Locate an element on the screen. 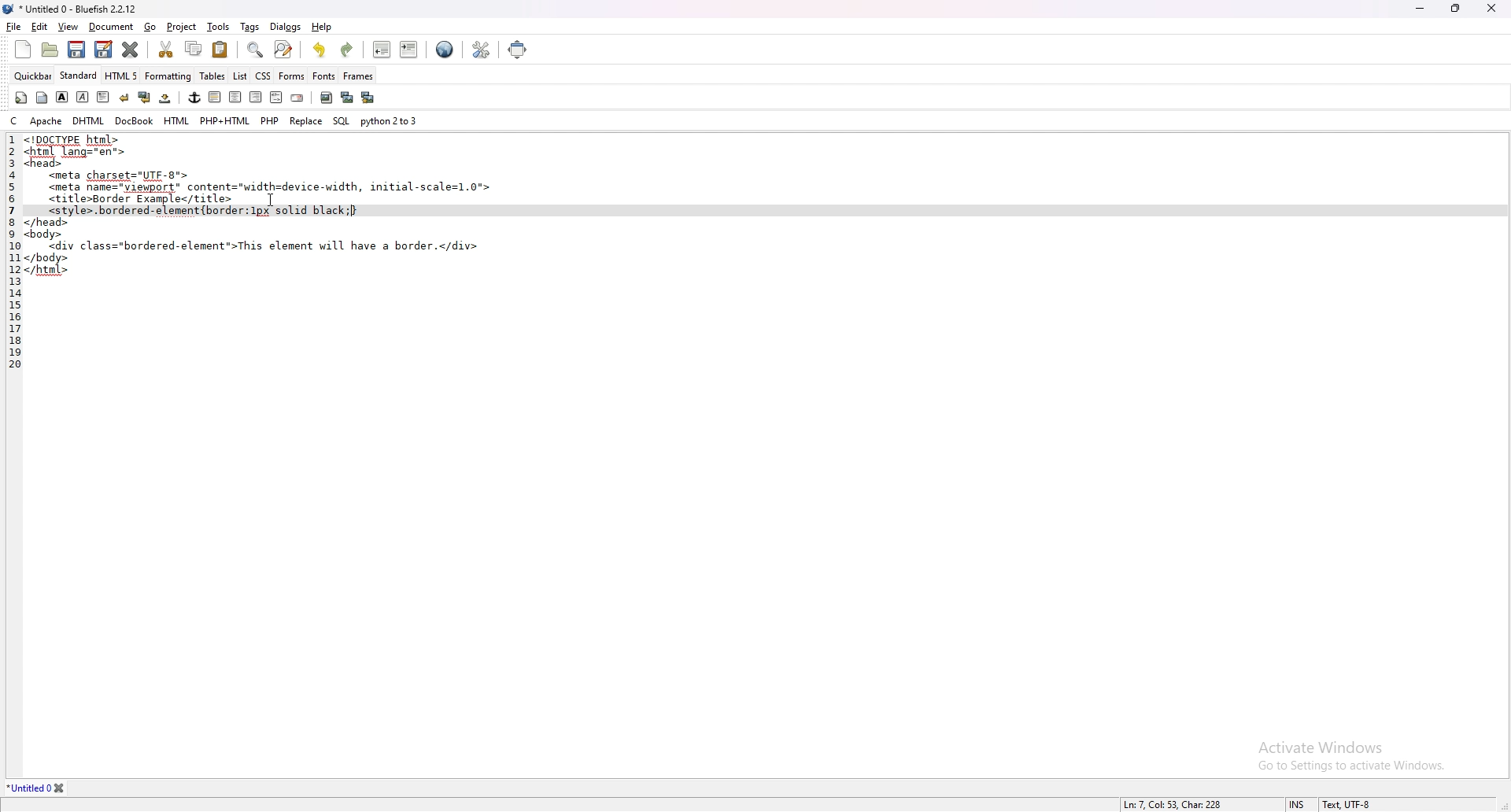 This screenshot has width=1511, height=812. right justify is located at coordinates (256, 96).